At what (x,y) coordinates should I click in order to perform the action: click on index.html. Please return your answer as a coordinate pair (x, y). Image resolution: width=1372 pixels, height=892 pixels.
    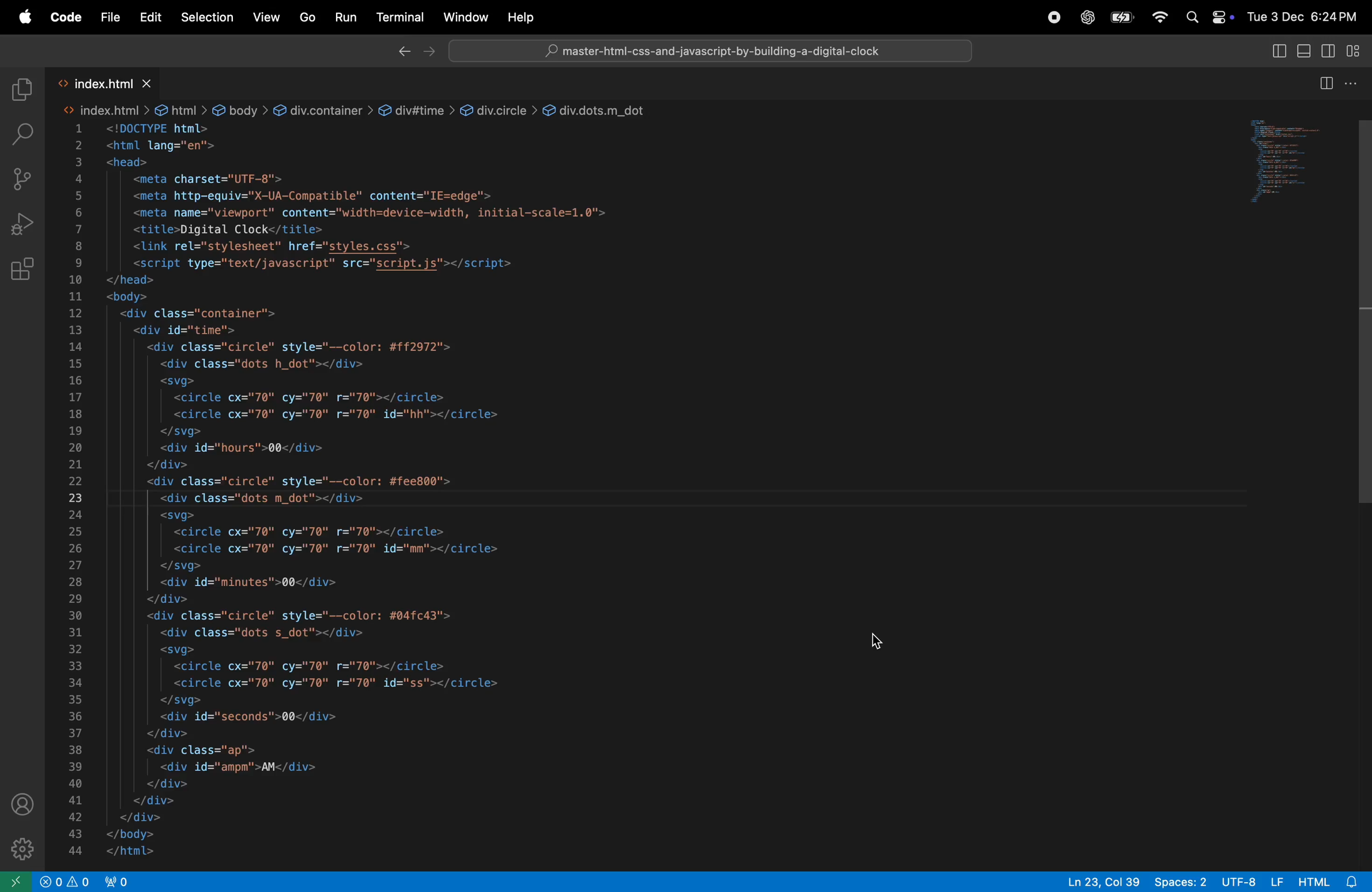
    Looking at the image, I should click on (100, 82).